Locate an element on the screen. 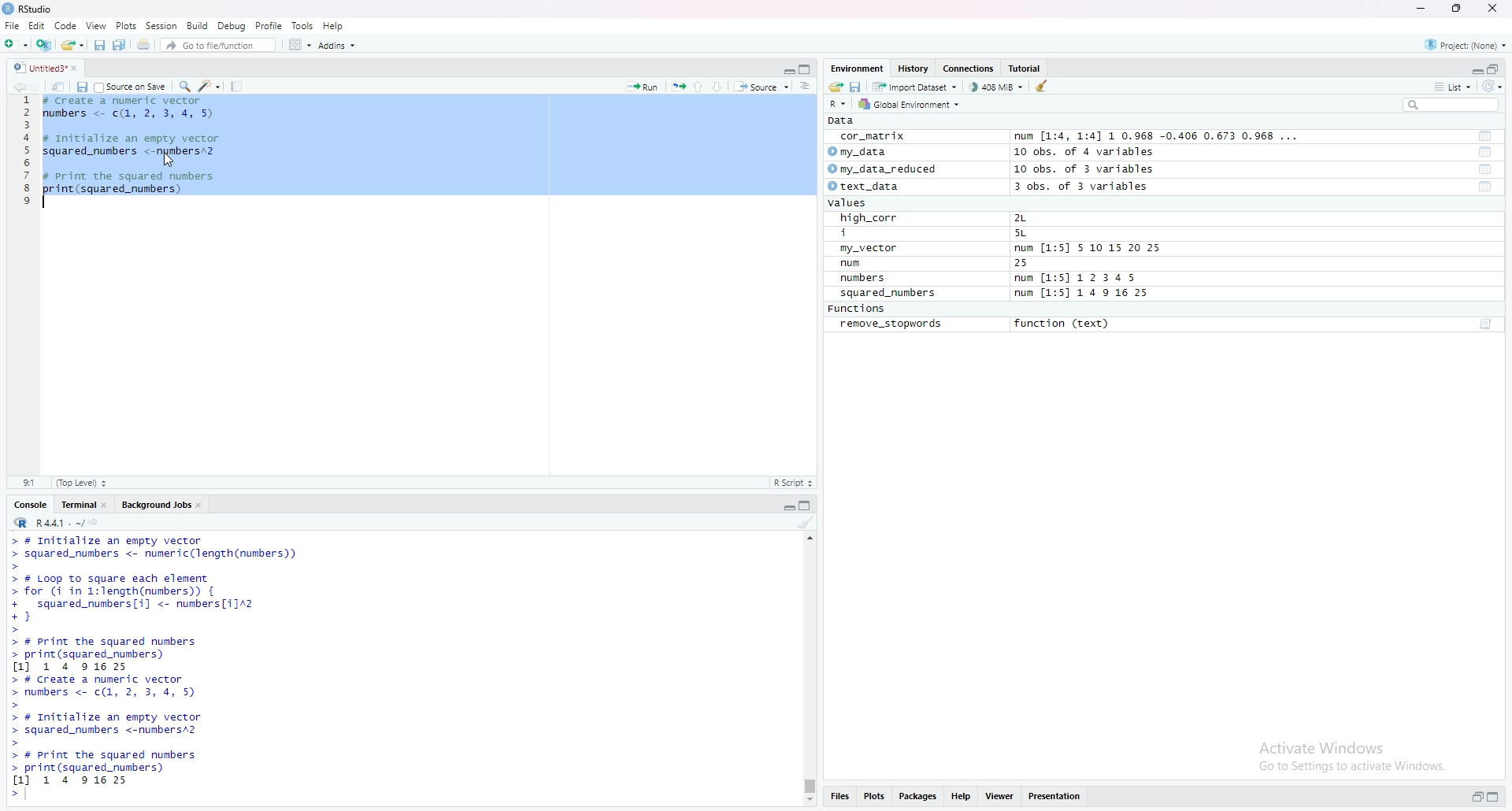  Create a Project is located at coordinates (43, 43).